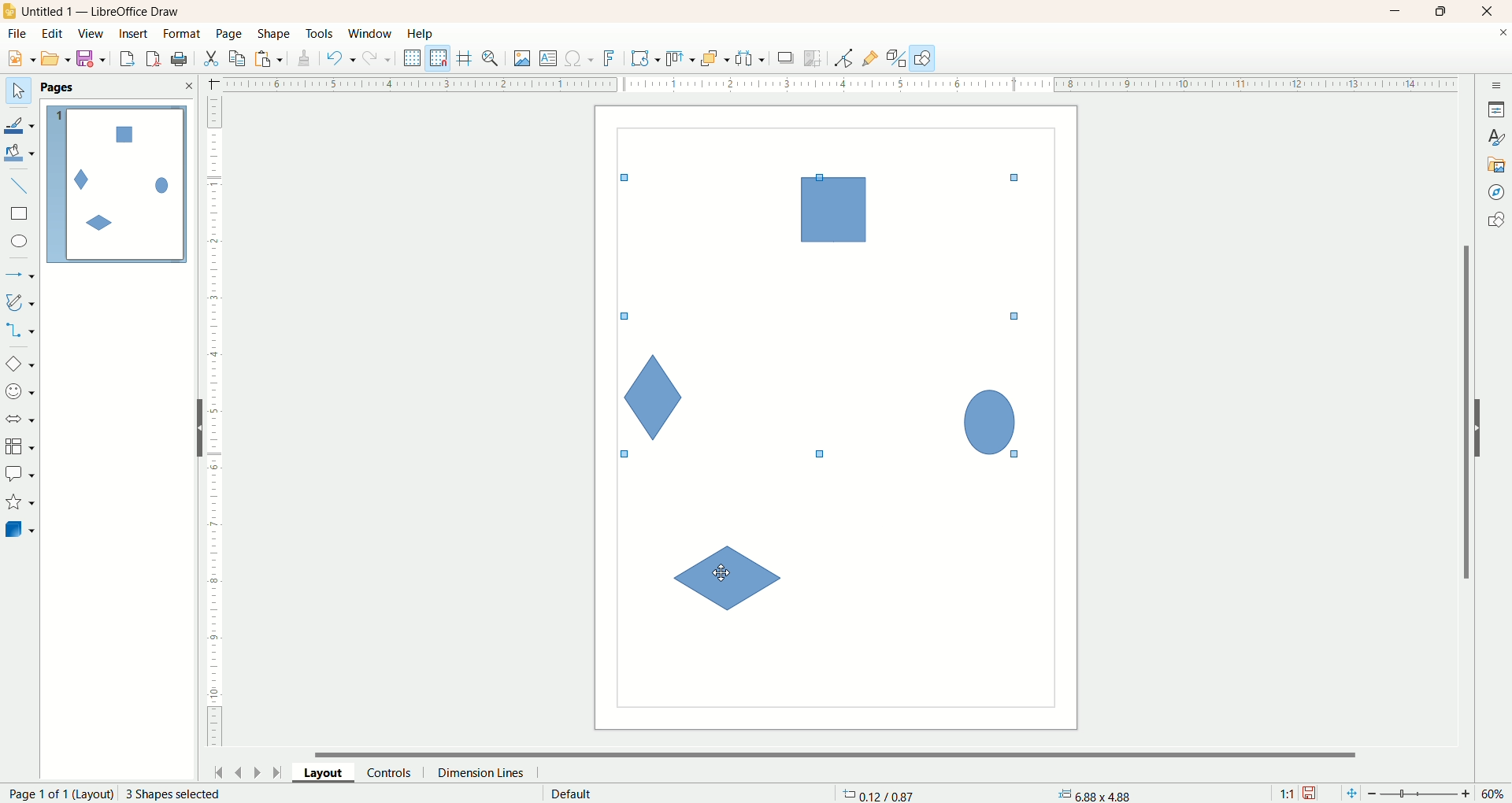  What do you see at coordinates (1396, 11) in the screenshot?
I see `minimize` at bounding box center [1396, 11].